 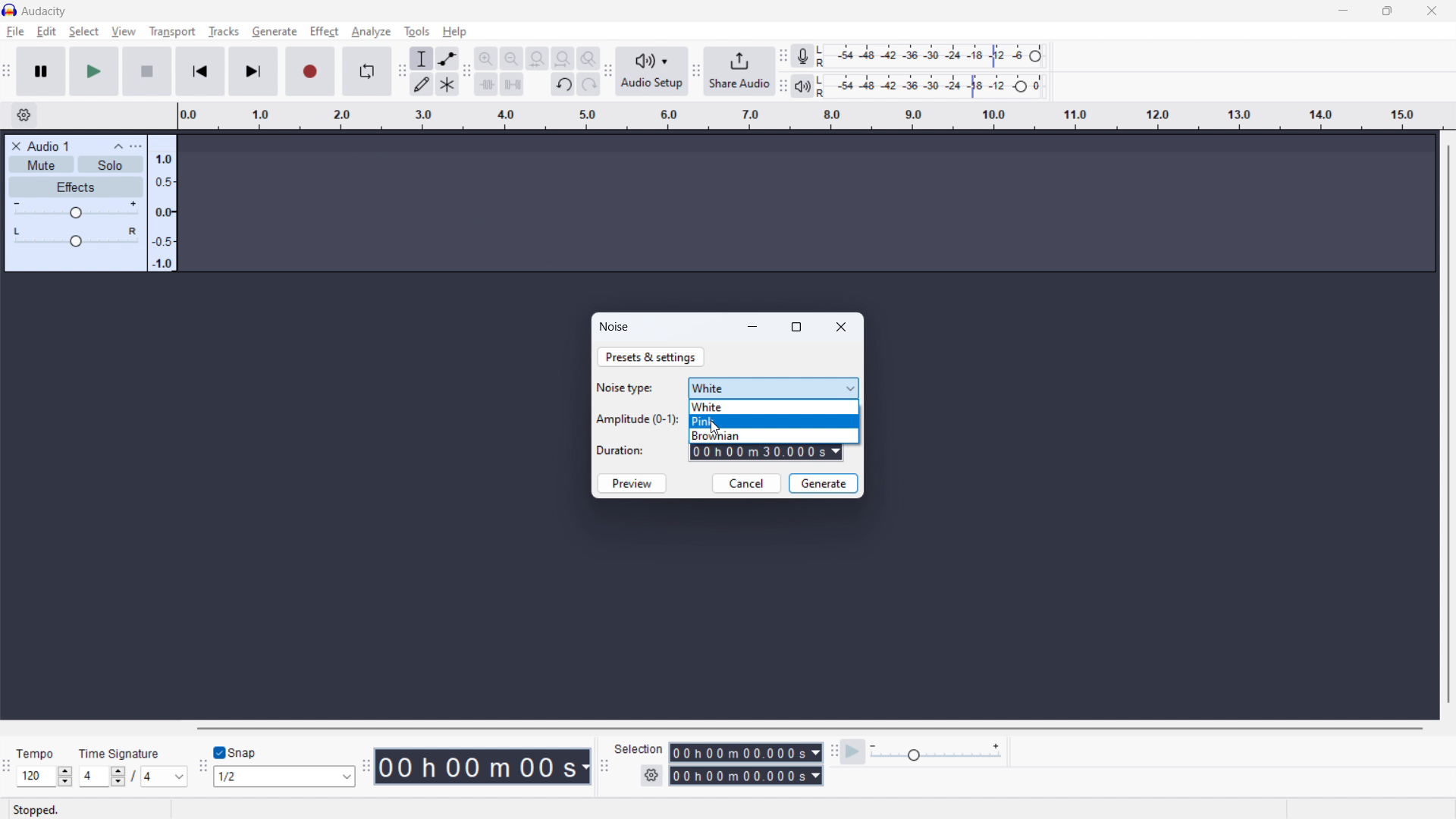 What do you see at coordinates (512, 83) in the screenshot?
I see `silence audio selection` at bounding box center [512, 83].